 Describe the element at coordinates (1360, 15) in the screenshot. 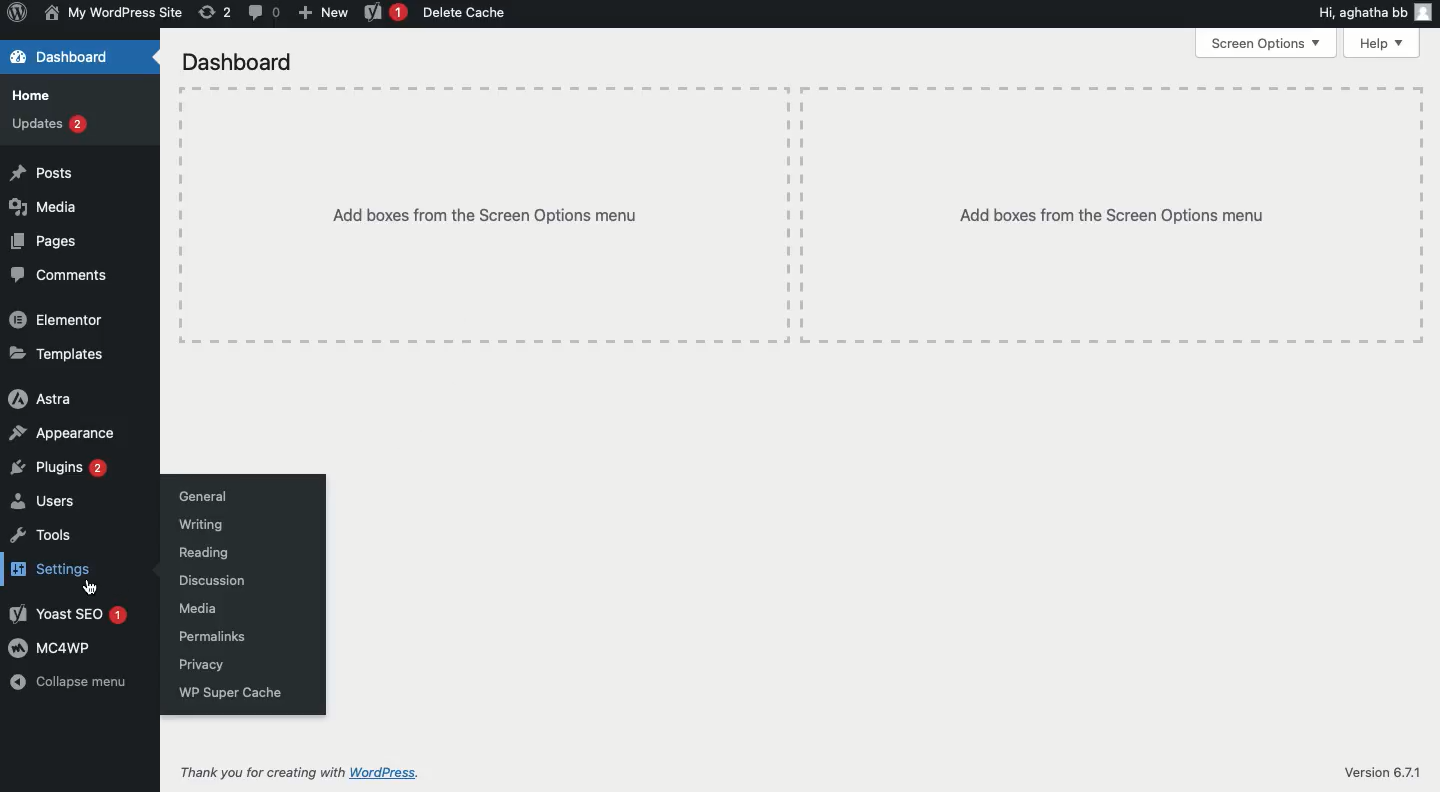

I see `Hi, agatha bb` at that location.